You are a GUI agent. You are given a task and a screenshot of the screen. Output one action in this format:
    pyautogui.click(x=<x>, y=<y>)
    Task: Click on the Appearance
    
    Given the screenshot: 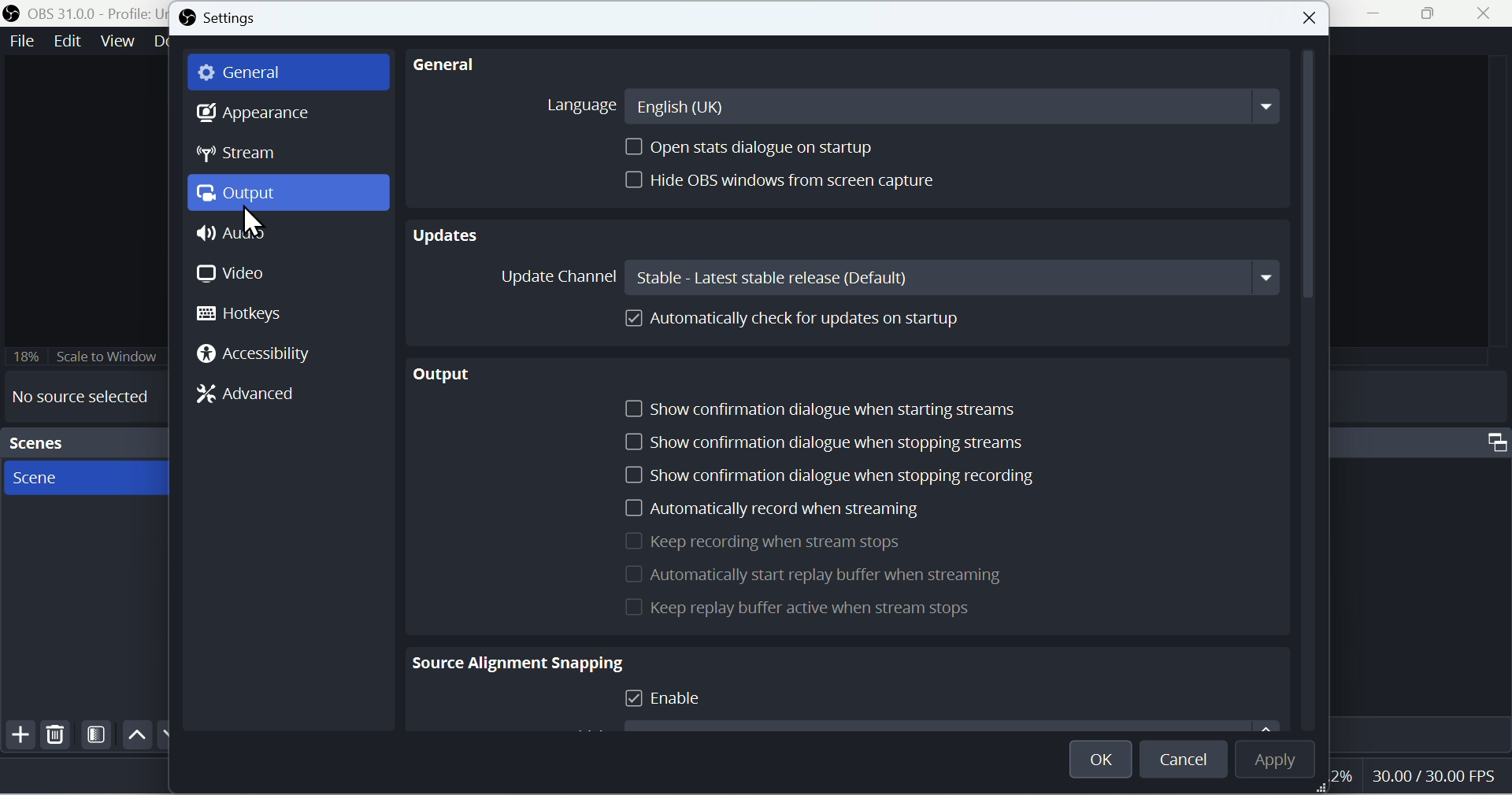 What is the action you would take?
    pyautogui.click(x=265, y=115)
    